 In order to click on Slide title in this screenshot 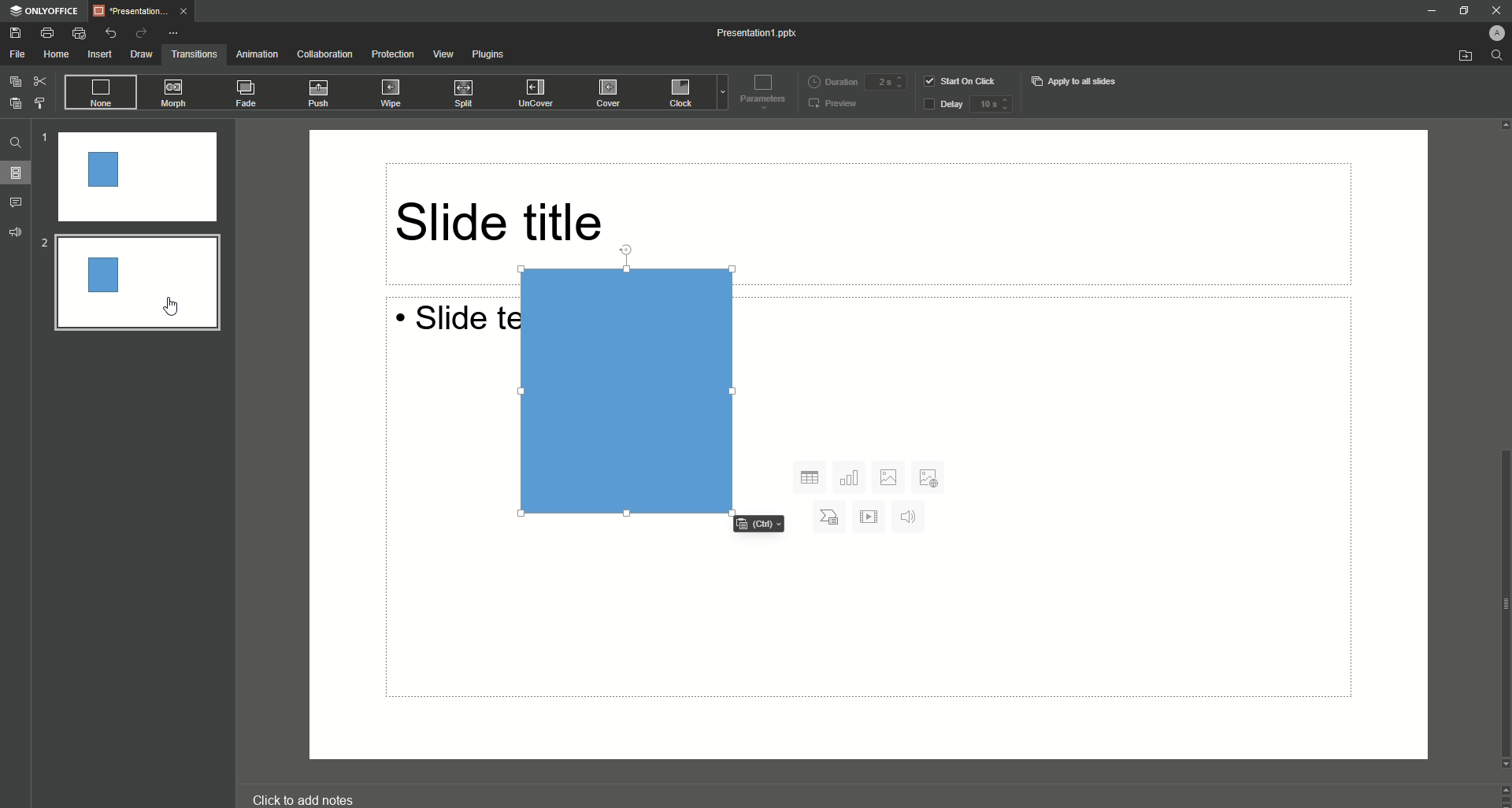, I will do `click(502, 216)`.